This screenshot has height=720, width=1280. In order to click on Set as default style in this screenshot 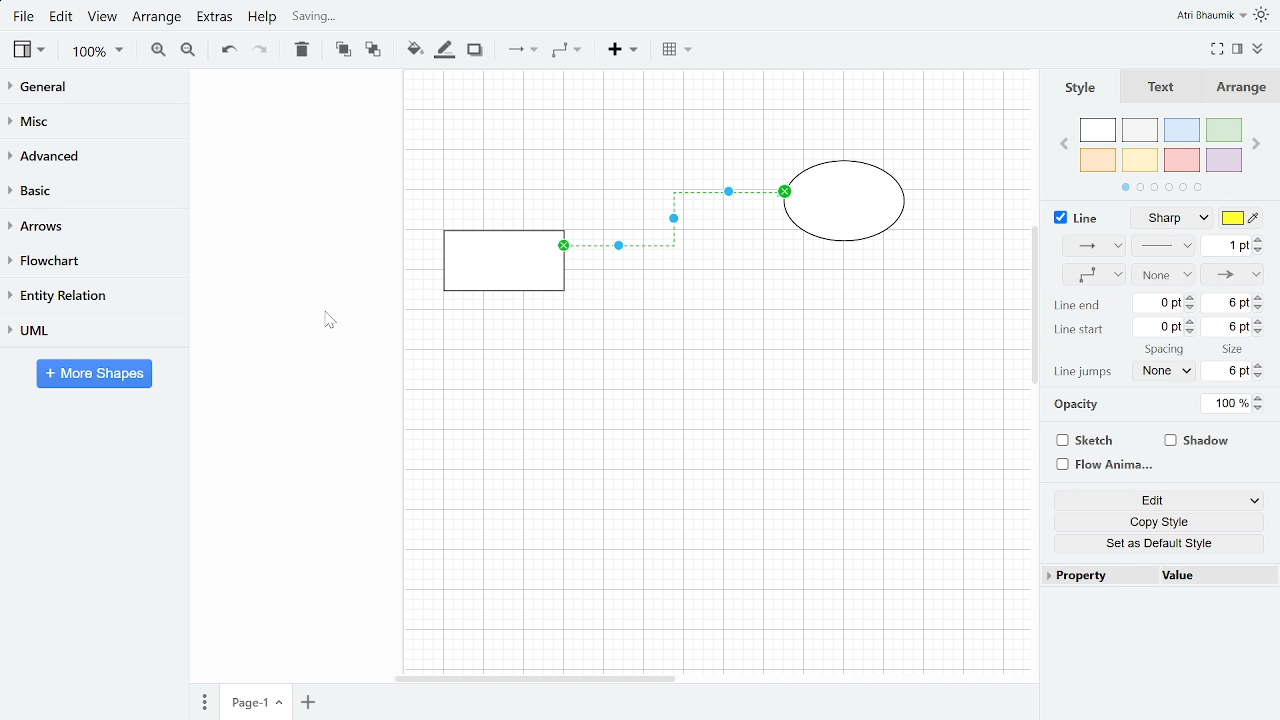, I will do `click(1154, 541)`.